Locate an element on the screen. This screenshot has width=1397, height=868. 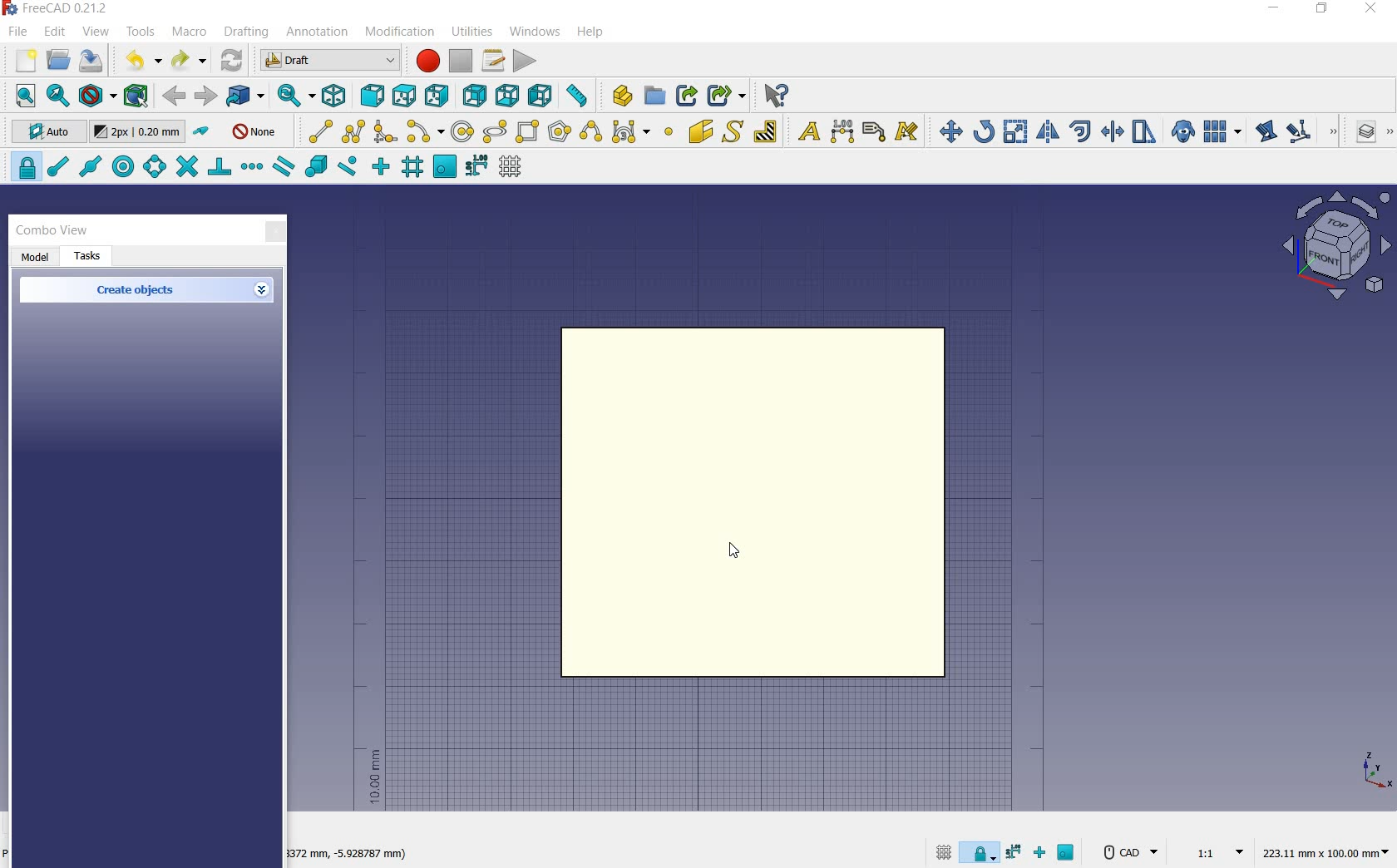
toggle construction mode is located at coordinates (203, 132).